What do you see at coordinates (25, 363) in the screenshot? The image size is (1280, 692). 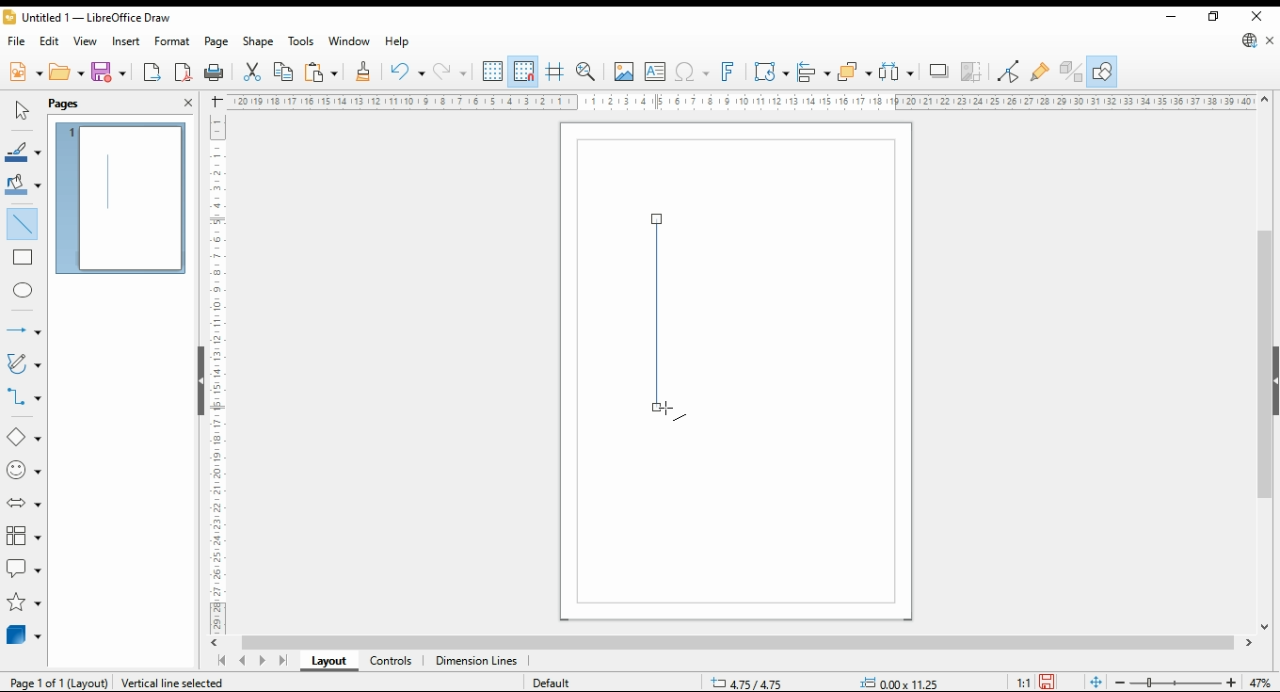 I see `curves and polygons` at bounding box center [25, 363].